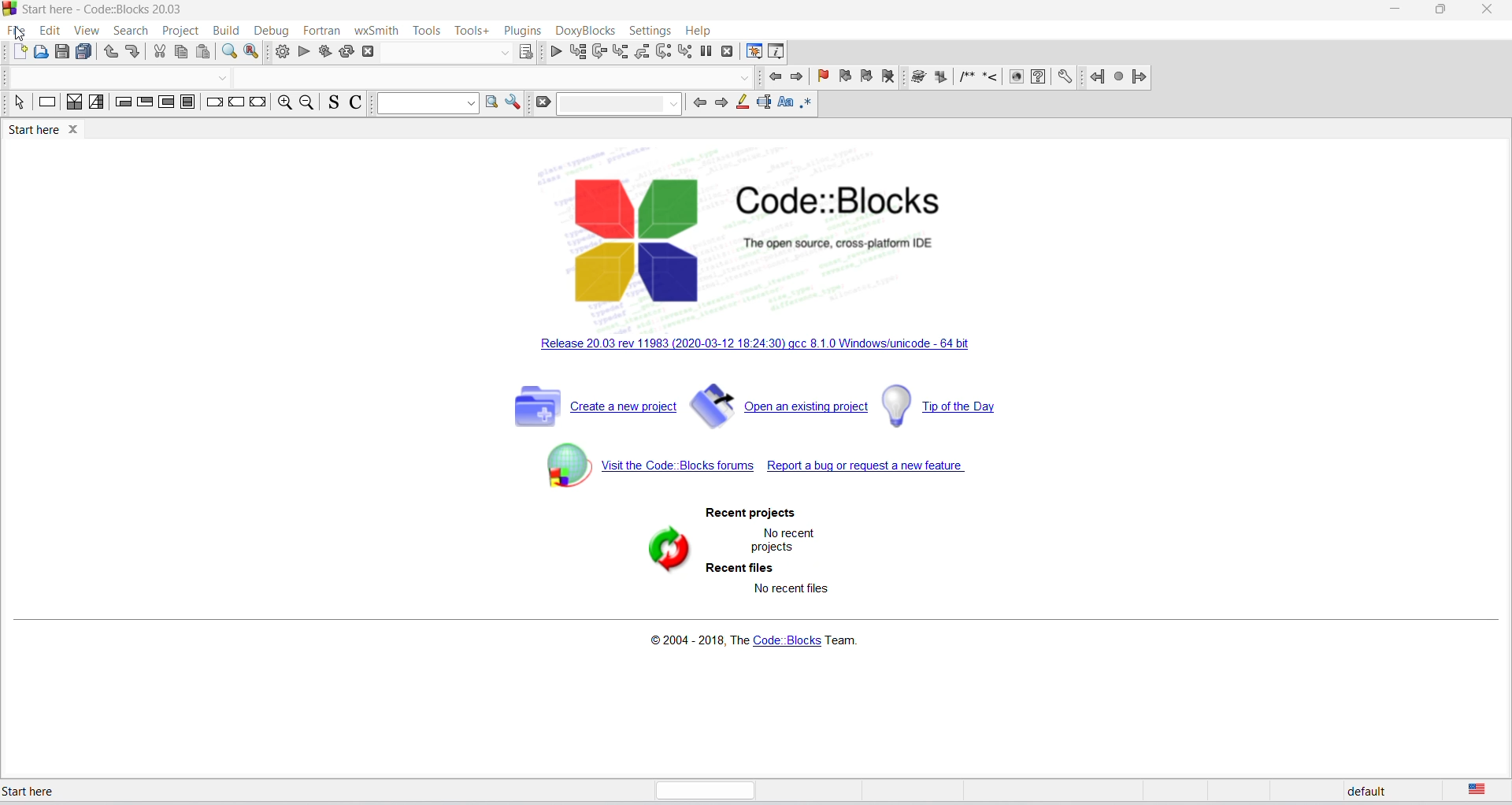 The height and width of the screenshot is (805, 1512). I want to click on dropdown, so click(623, 103).